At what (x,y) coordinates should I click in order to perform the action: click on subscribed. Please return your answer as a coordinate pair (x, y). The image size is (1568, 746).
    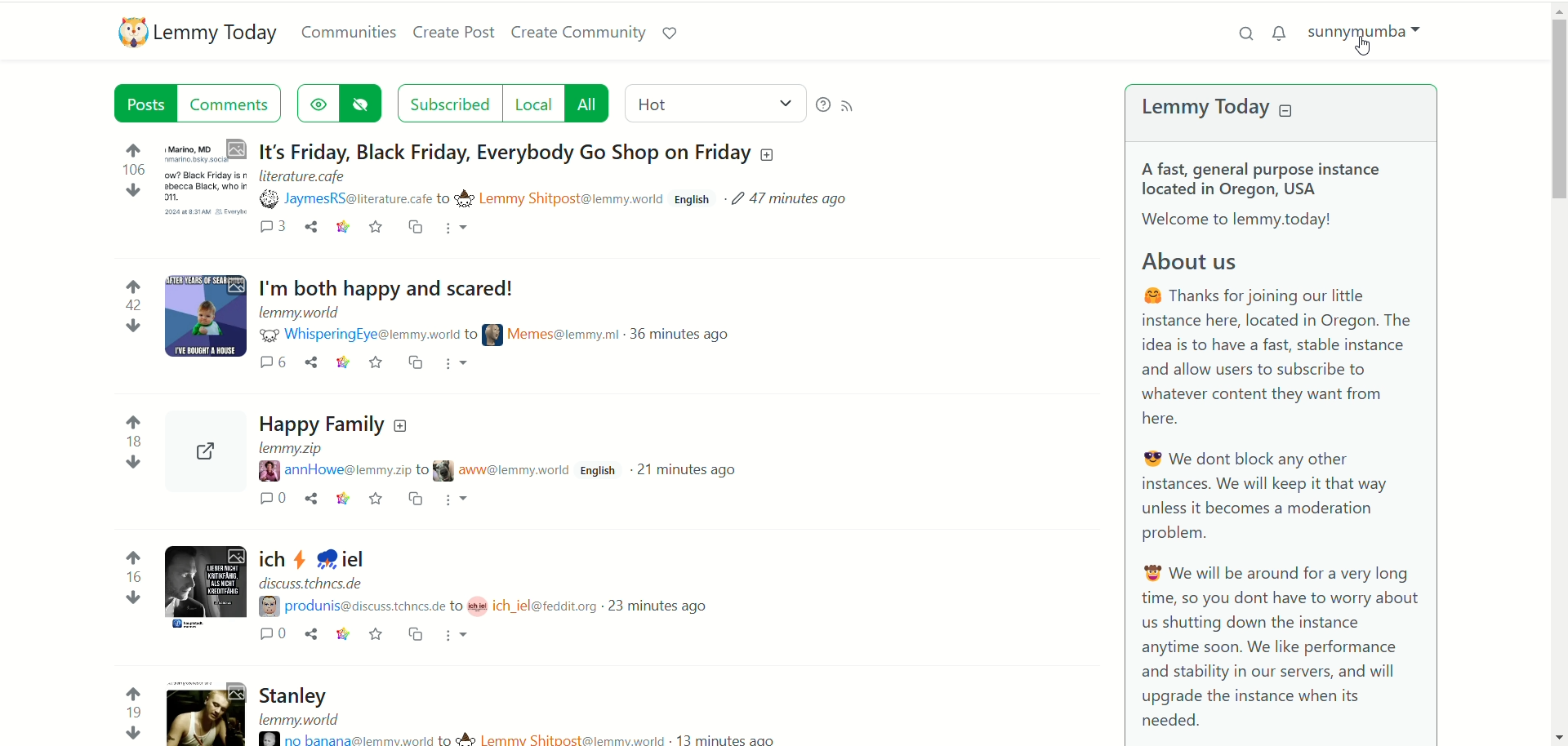
    Looking at the image, I should click on (449, 103).